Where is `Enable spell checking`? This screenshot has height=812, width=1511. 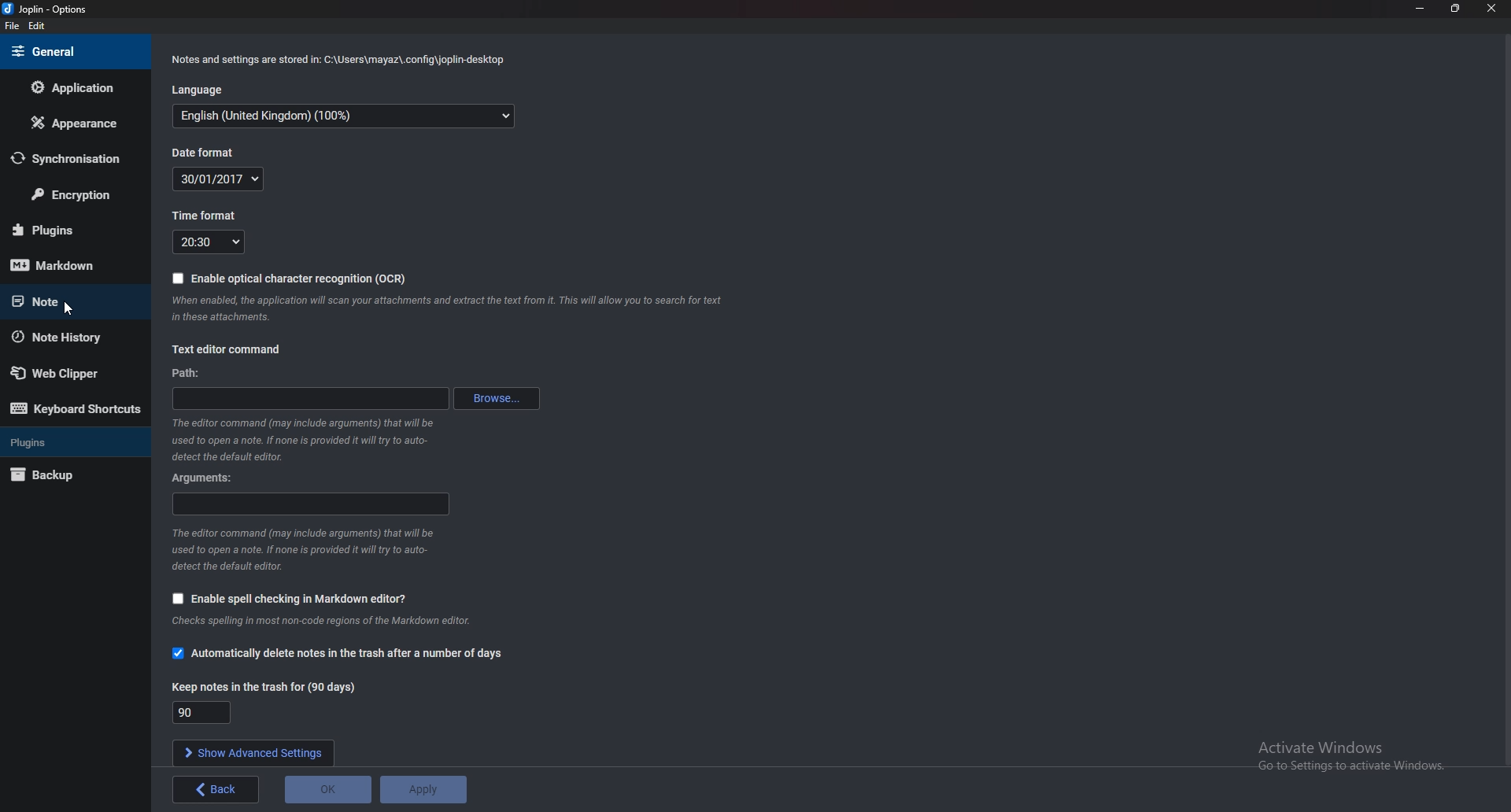
Enable spell checking is located at coordinates (297, 599).